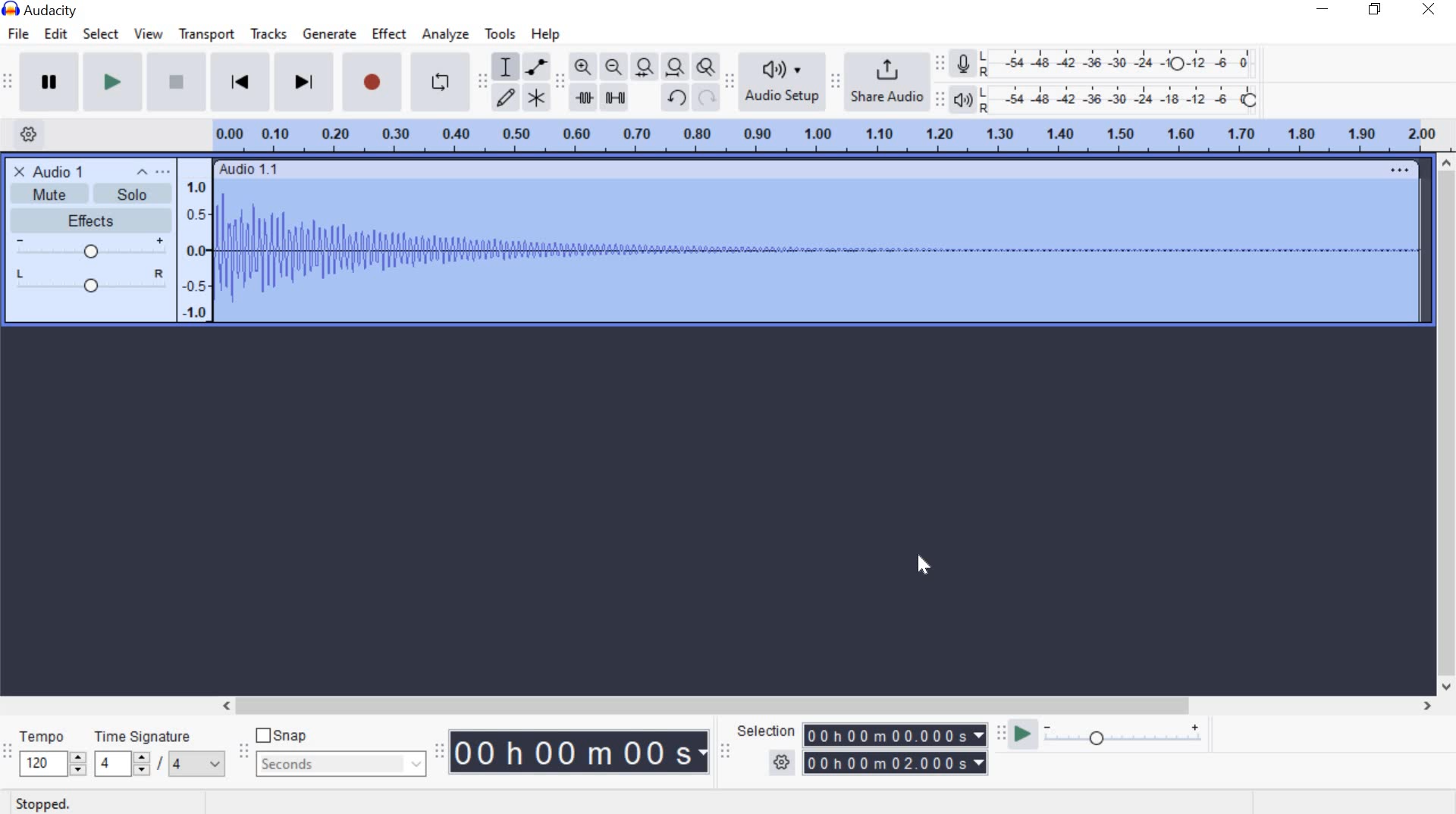 This screenshot has height=814, width=1456. What do you see at coordinates (705, 96) in the screenshot?
I see `redo` at bounding box center [705, 96].